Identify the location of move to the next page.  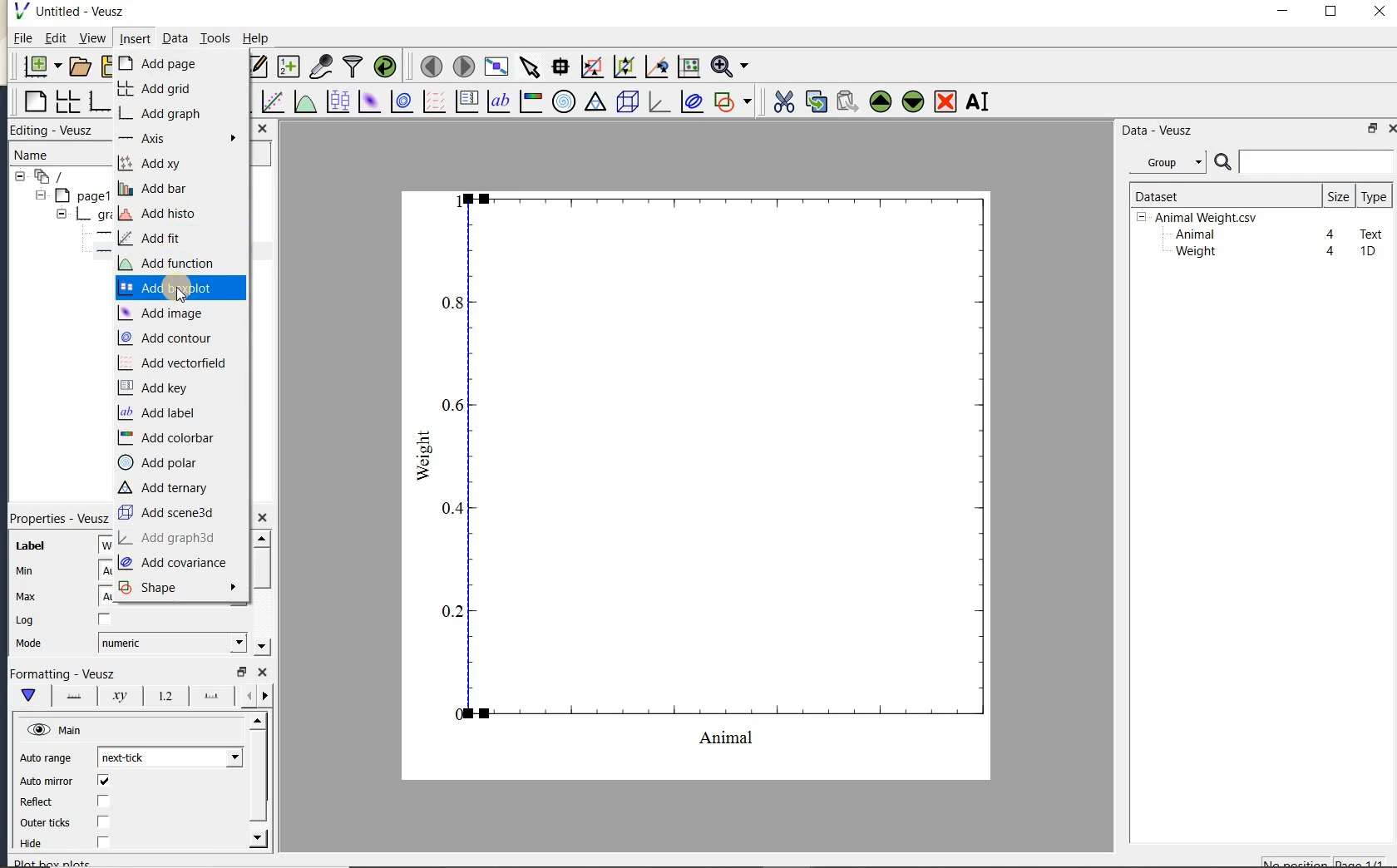
(462, 65).